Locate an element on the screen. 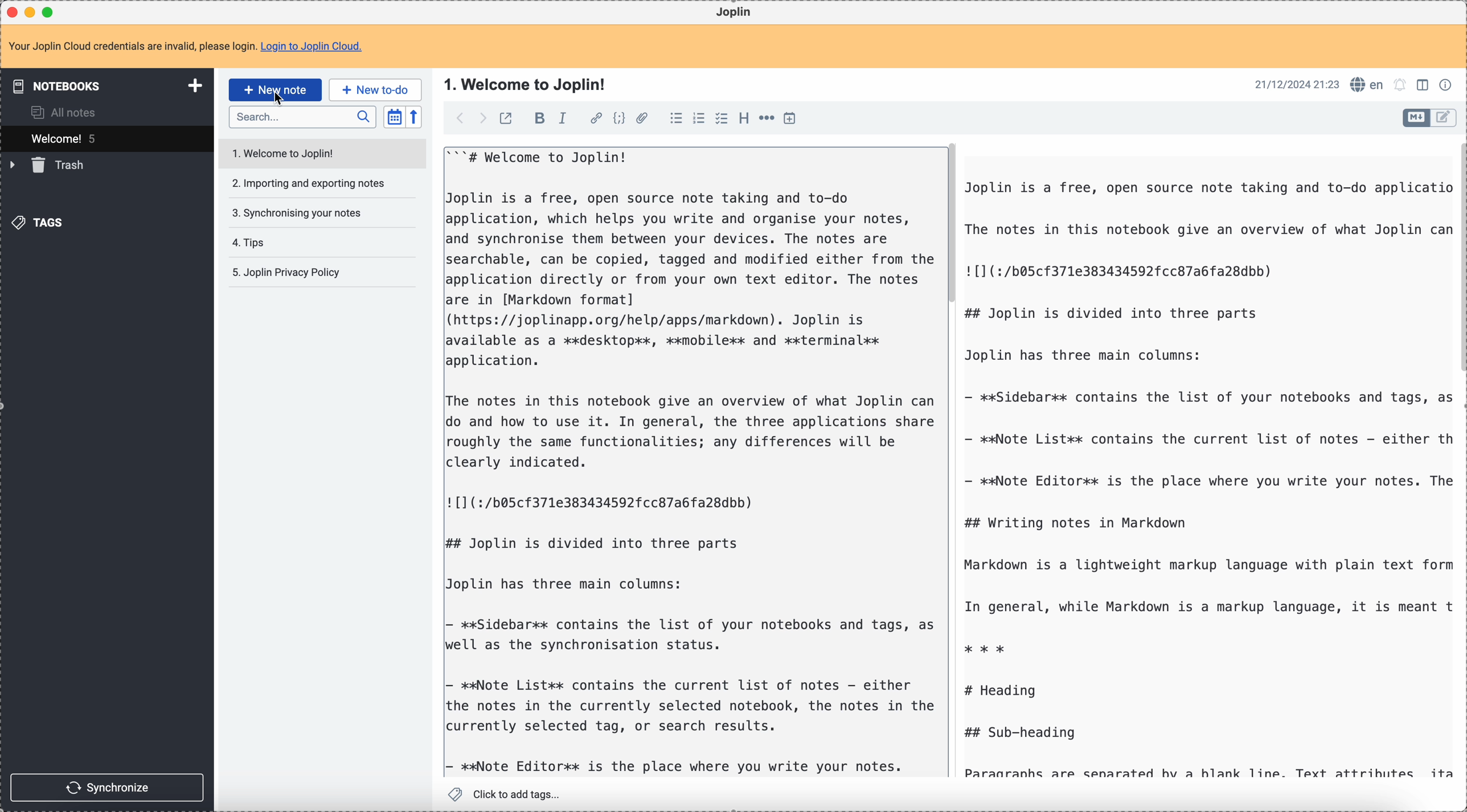  tags is located at coordinates (37, 223).